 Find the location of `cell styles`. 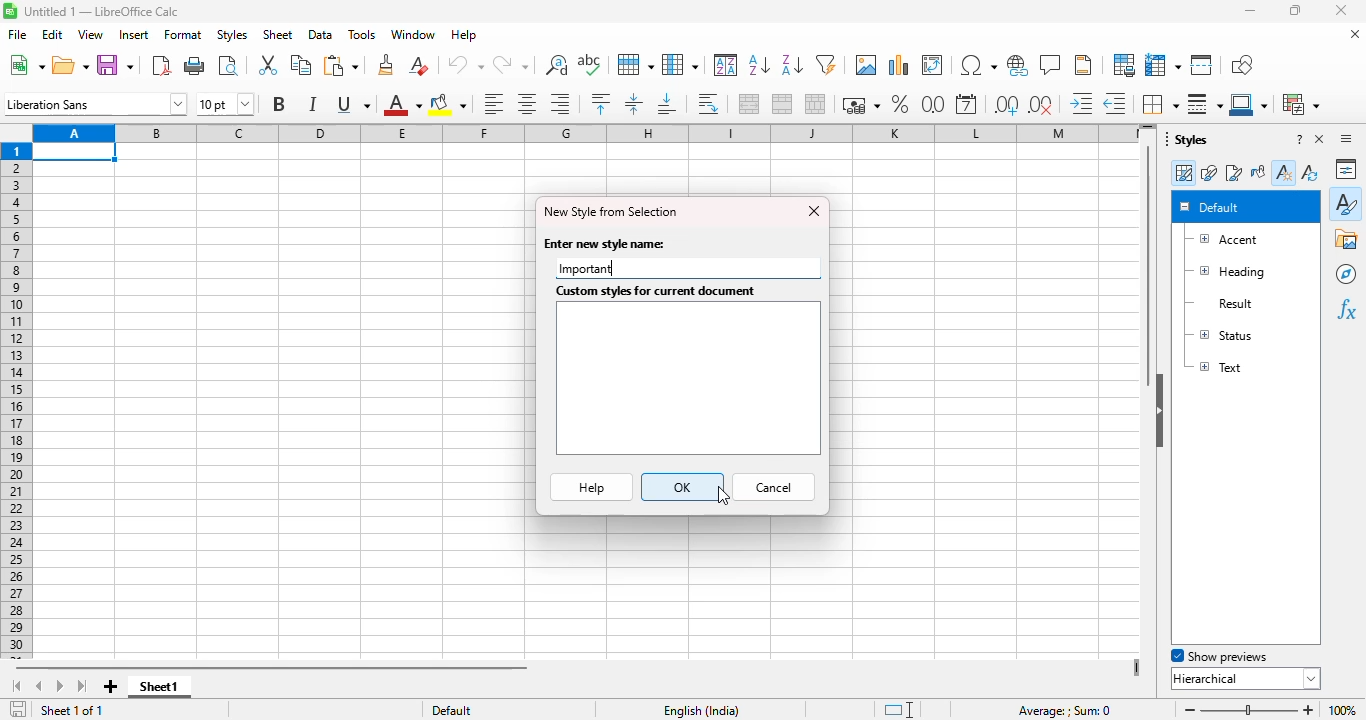

cell styles is located at coordinates (1183, 173).